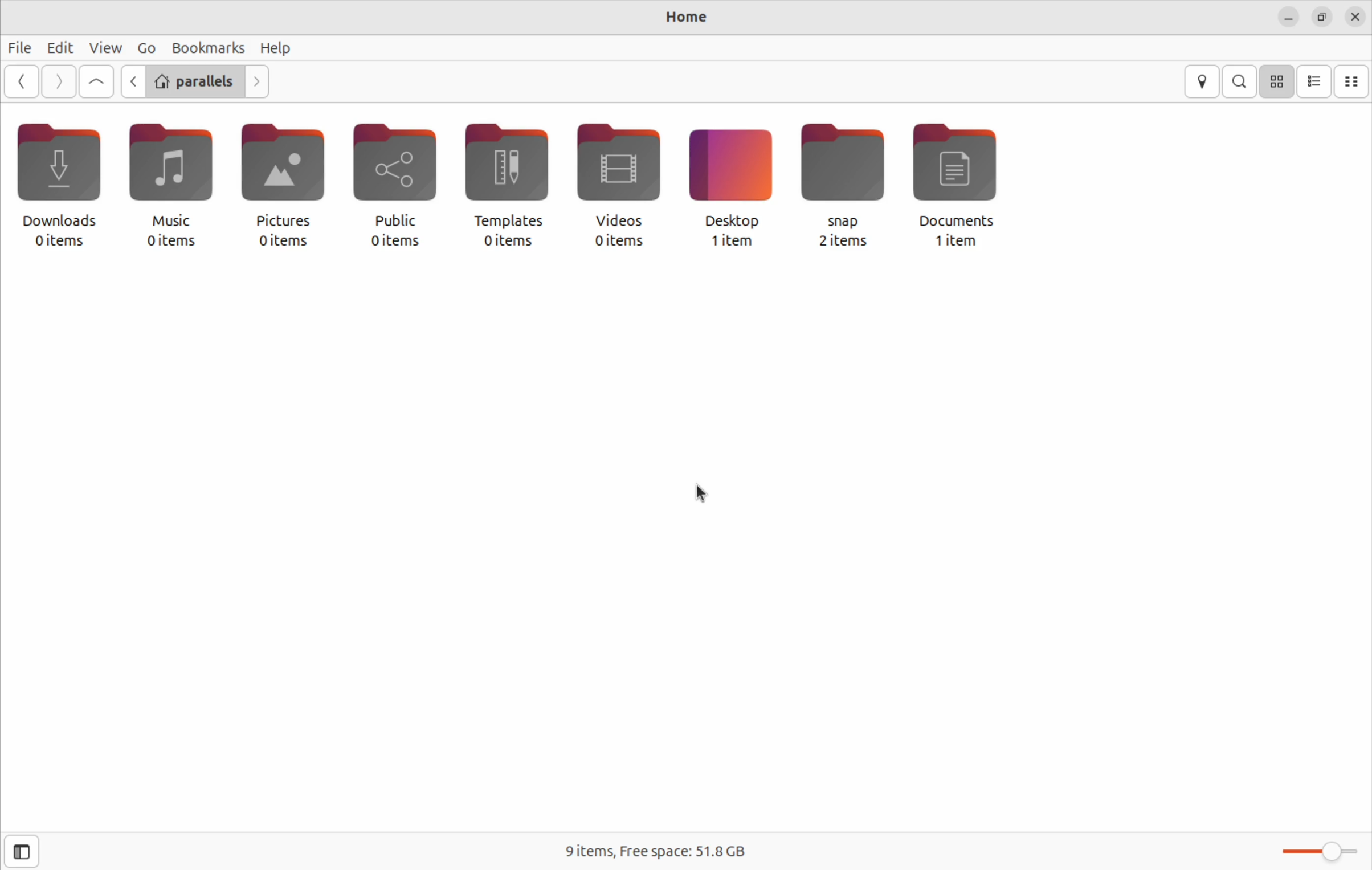 Image resolution: width=1372 pixels, height=870 pixels. What do you see at coordinates (966, 173) in the screenshot?
I see `documents` at bounding box center [966, 173].